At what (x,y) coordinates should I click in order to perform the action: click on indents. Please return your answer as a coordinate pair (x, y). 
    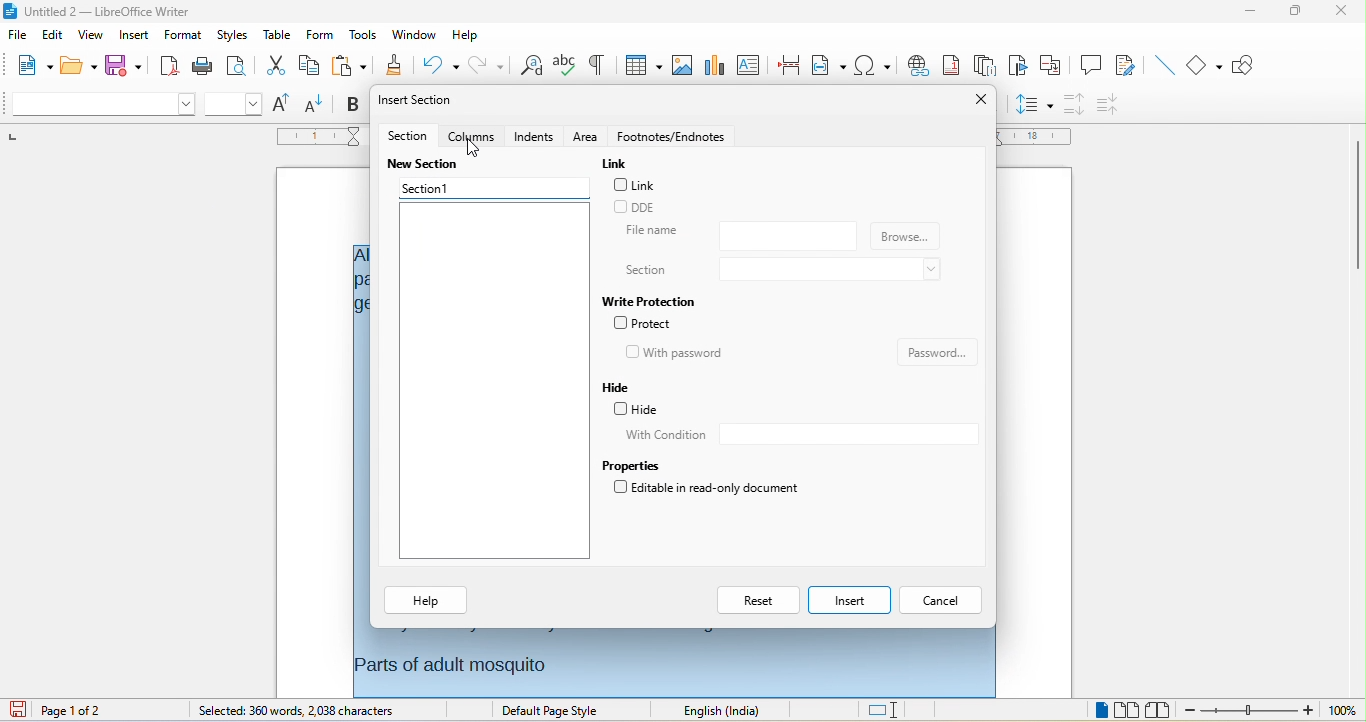
    Looking at the image, I should click on (534, 136).